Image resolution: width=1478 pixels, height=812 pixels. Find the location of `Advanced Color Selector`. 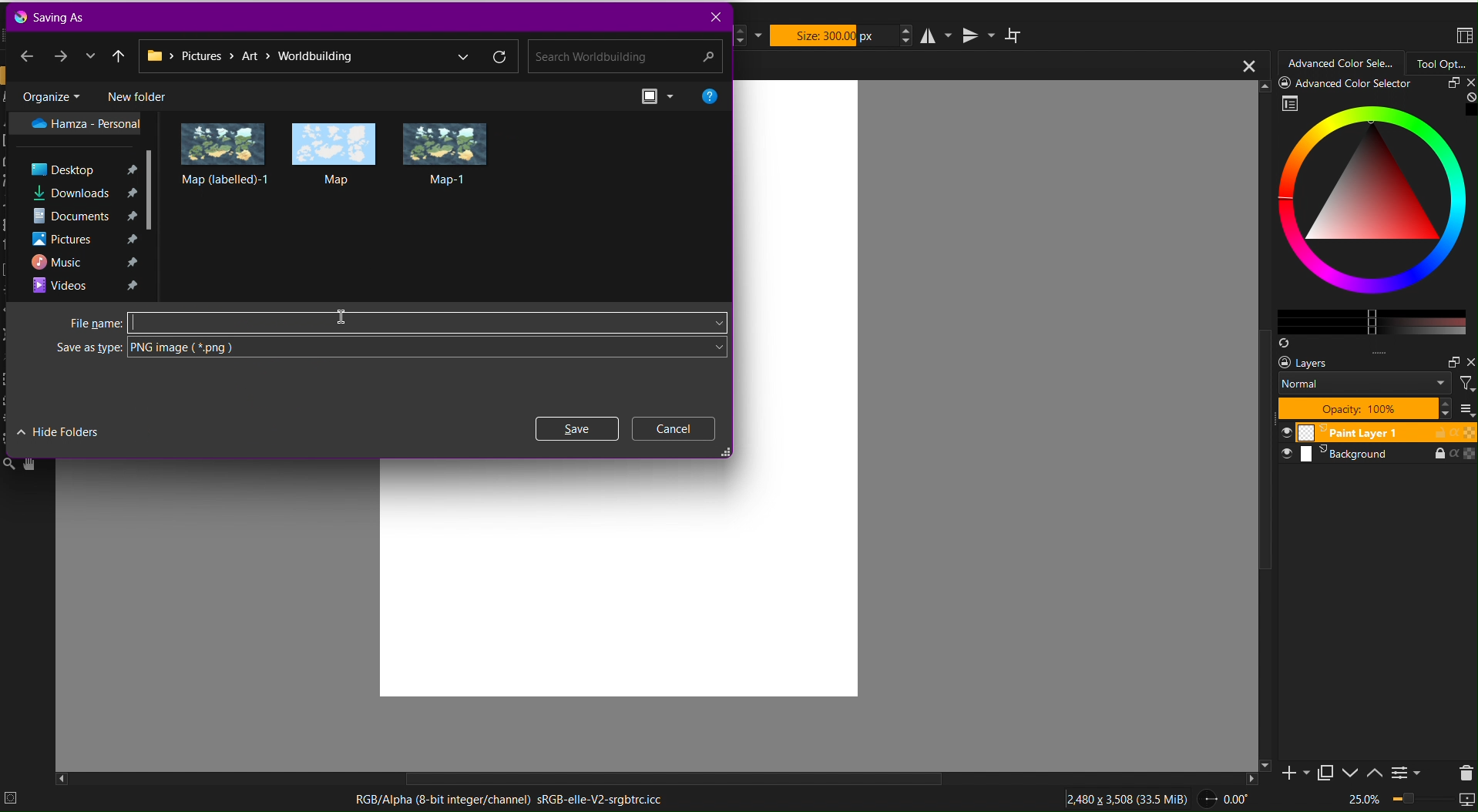

Advanced Color Selector is located at coordinates (1342, 64).